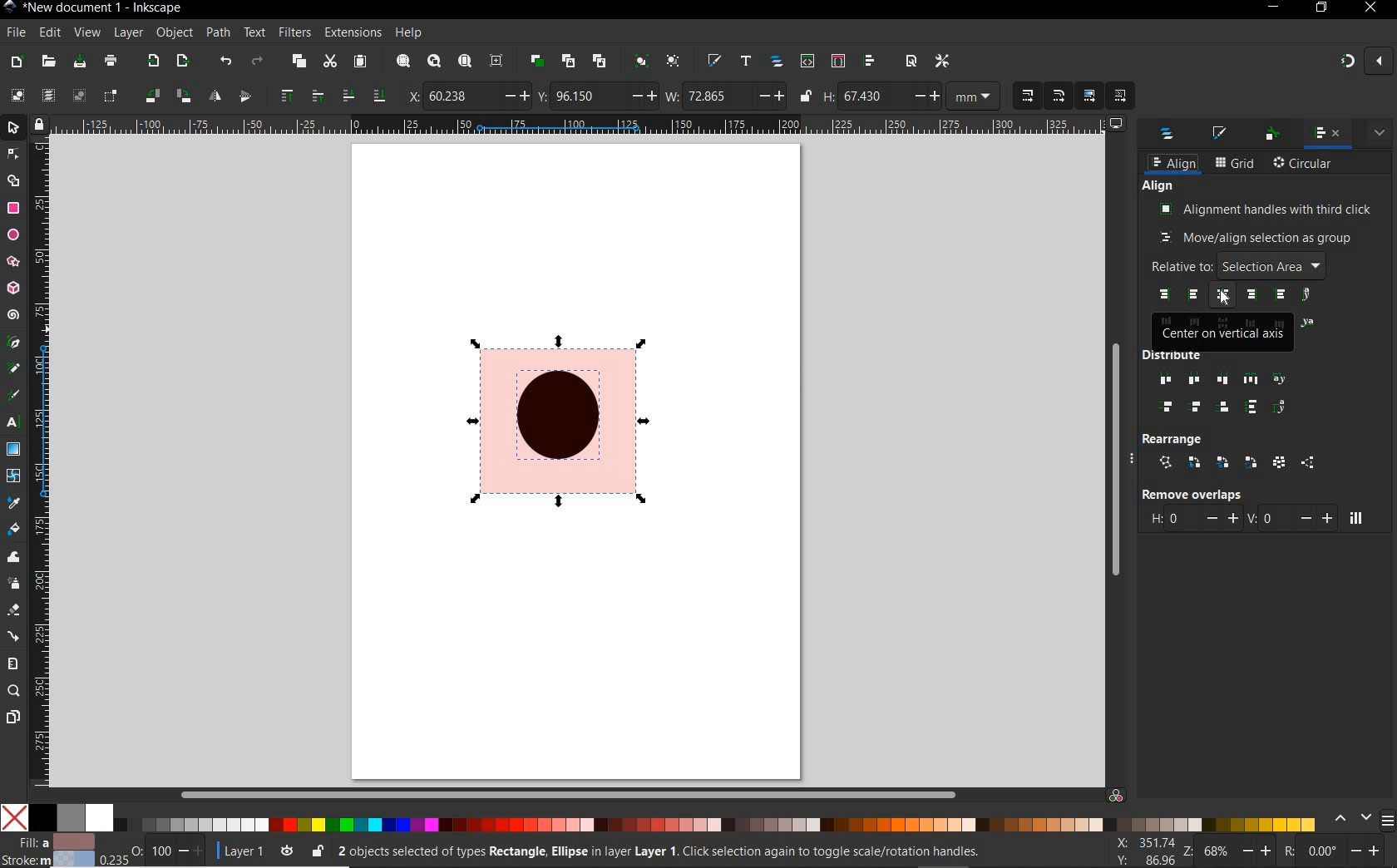  I want to click on EXCHANGE IN SELECTION ORDER, so click(1195, 463).